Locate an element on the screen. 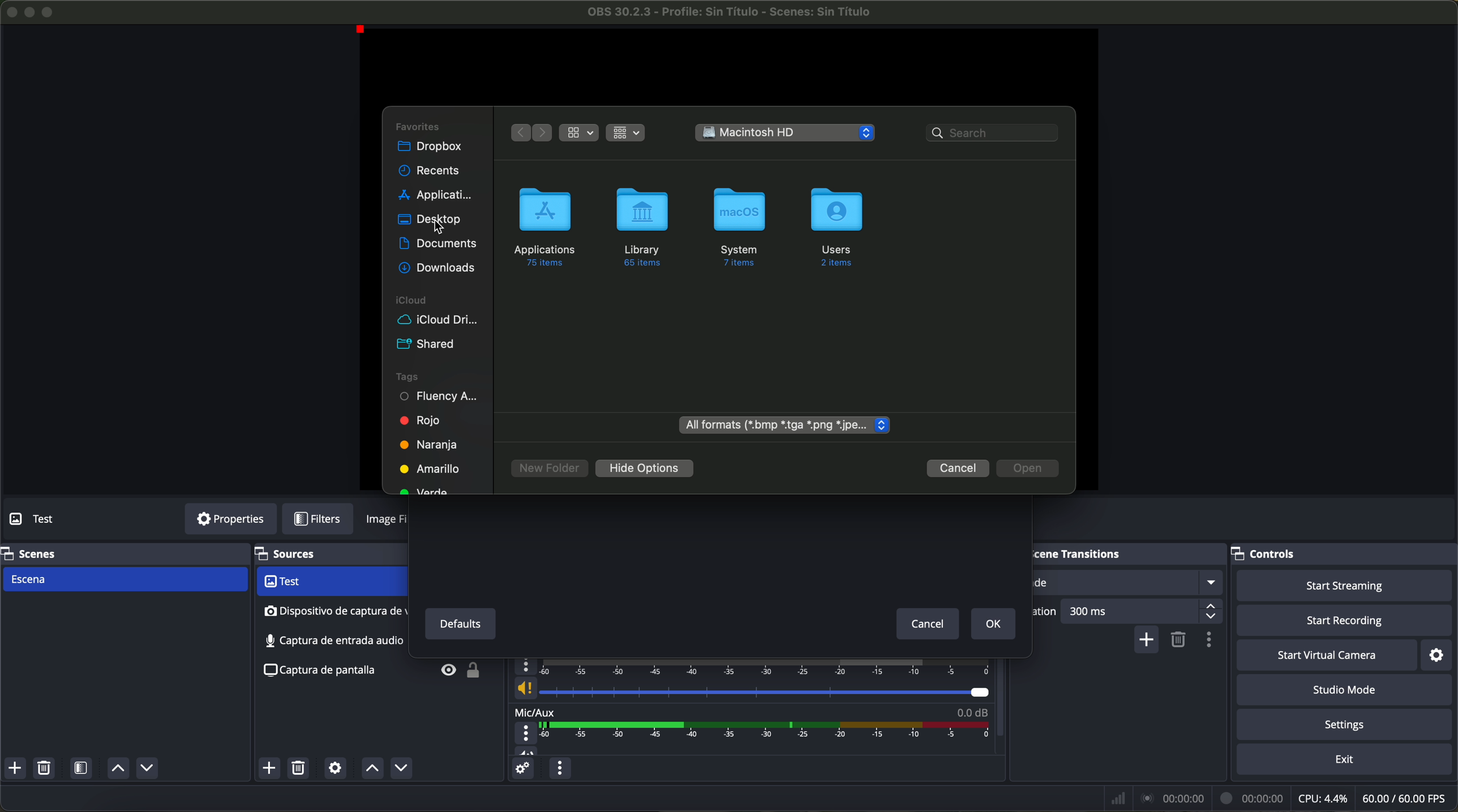  search bar is located at coordinates (994, 132).